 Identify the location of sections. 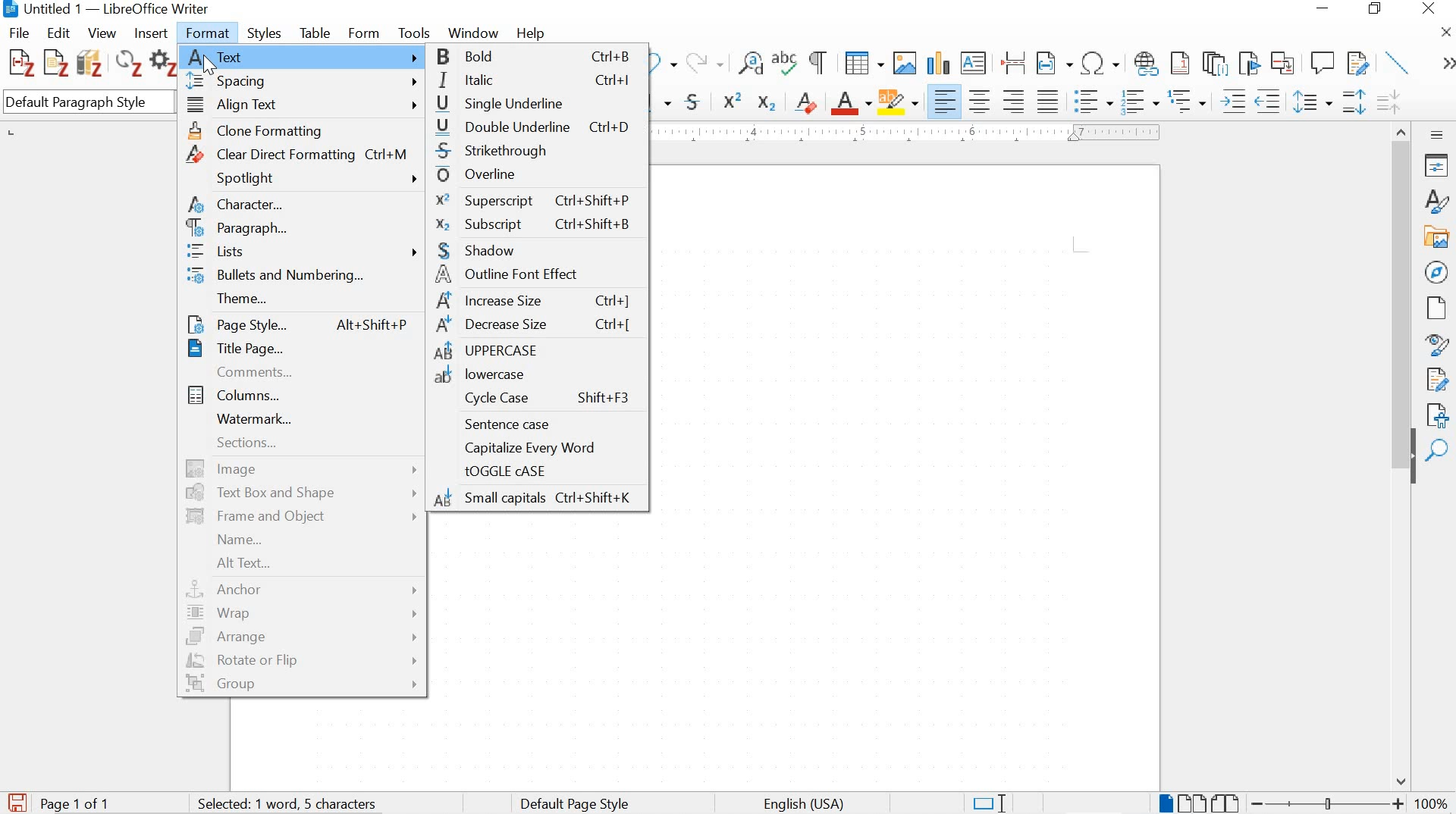
(301, 446).